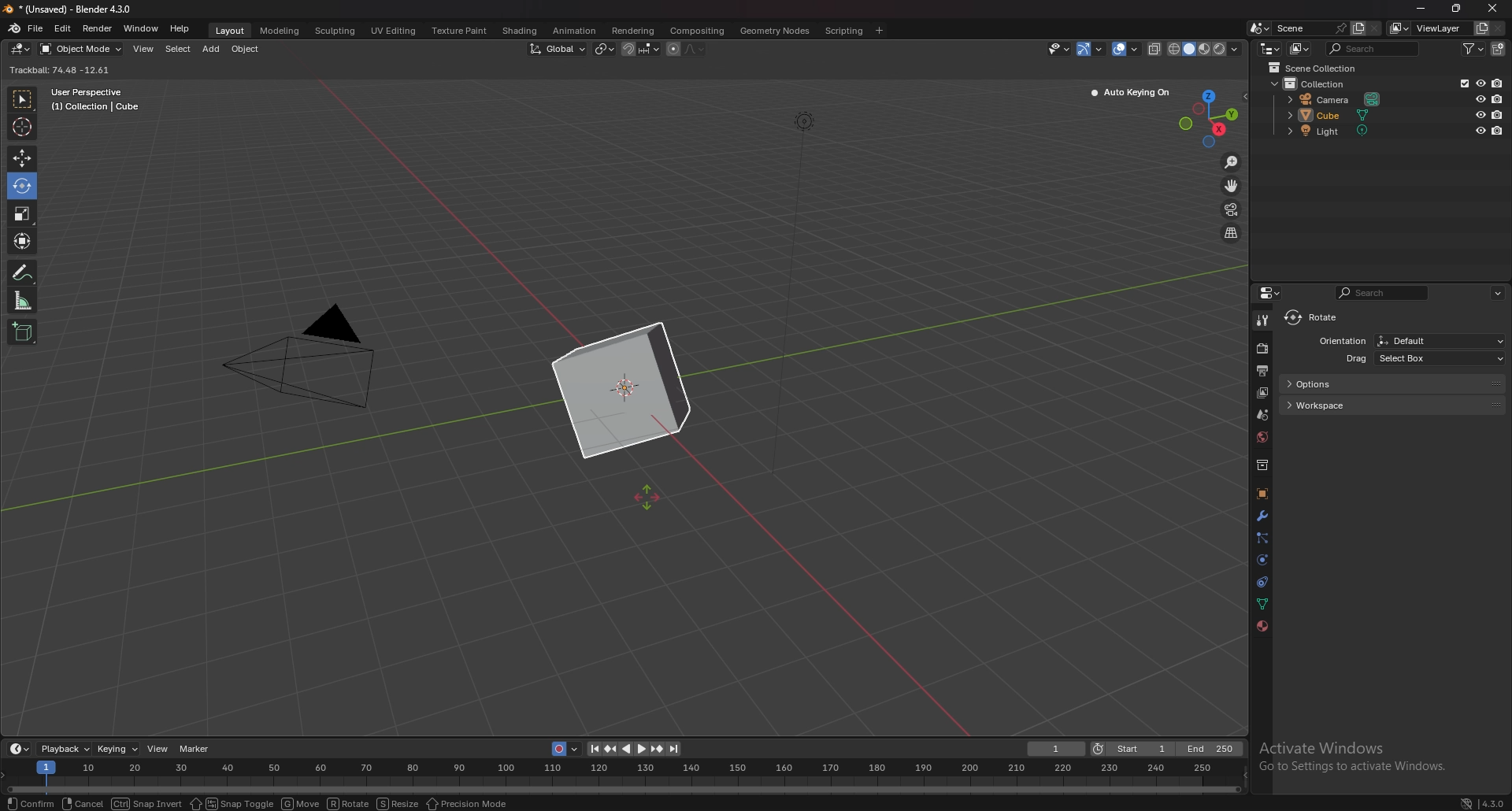  What do you see at coordinates (1262, 370) in the screenshot?
I see `output` at bounding box center [1262, 370].